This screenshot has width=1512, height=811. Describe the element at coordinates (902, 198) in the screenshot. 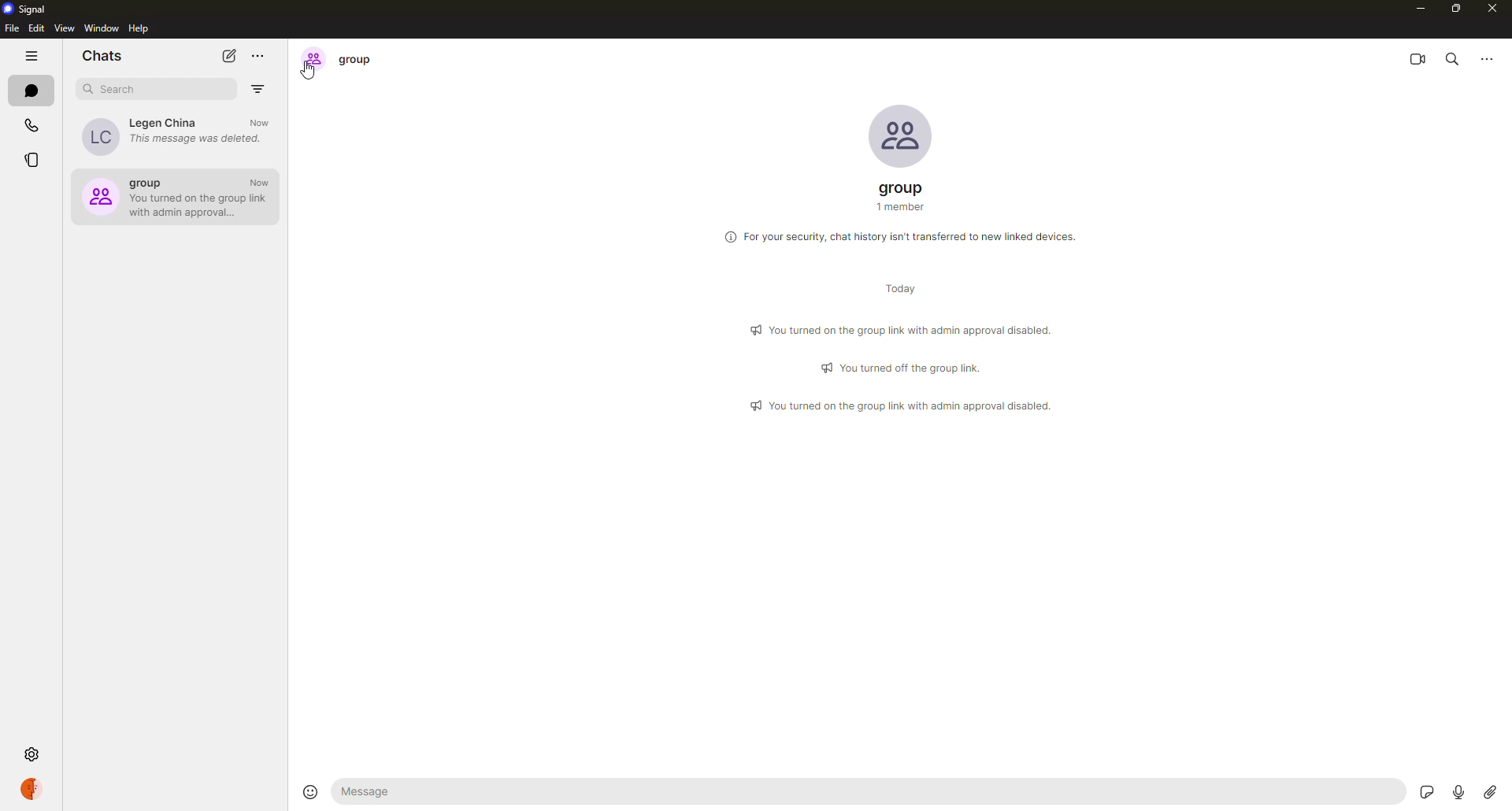

I see `group` at that location.